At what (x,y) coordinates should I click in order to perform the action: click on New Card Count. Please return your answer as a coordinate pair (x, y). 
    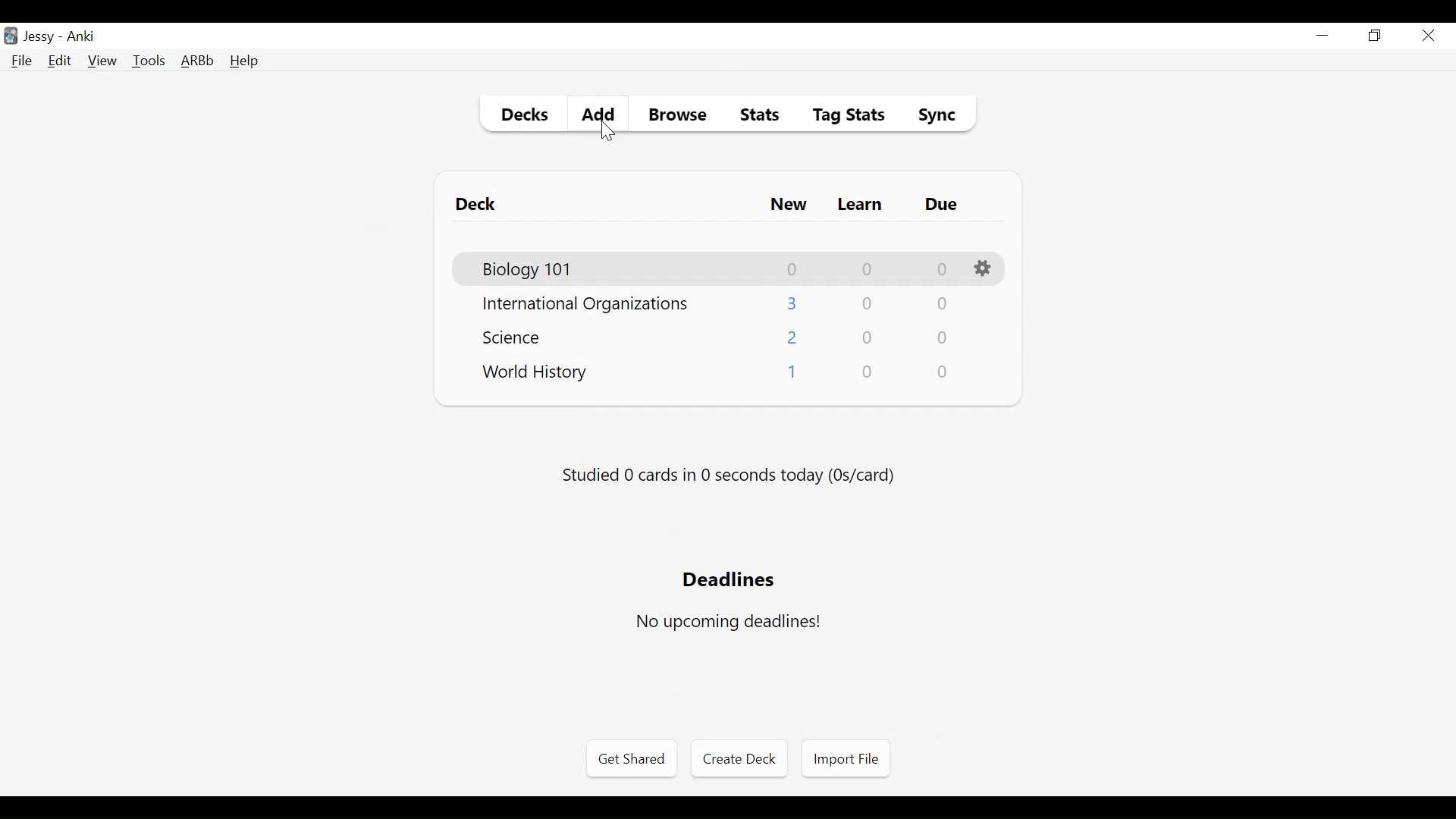
    Looking at the image, I should click on (793, 303).